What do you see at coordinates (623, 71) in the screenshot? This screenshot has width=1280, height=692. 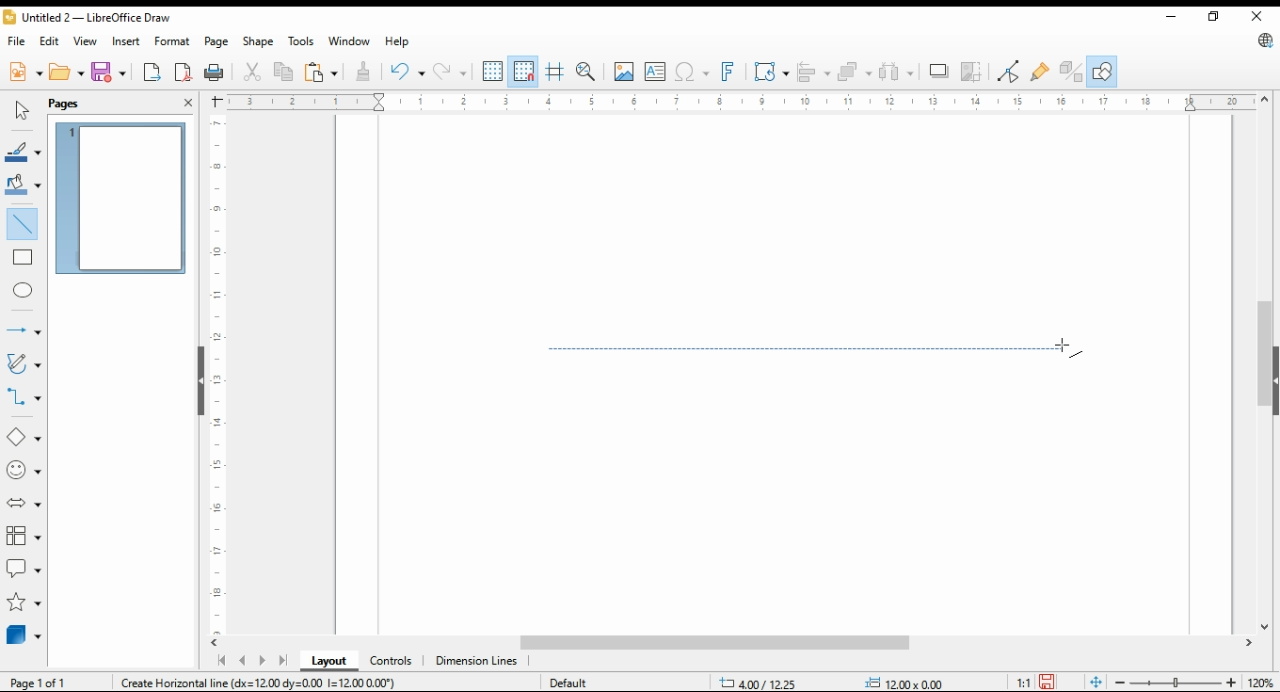 I see `insert image` at bounding box center [623, 71].